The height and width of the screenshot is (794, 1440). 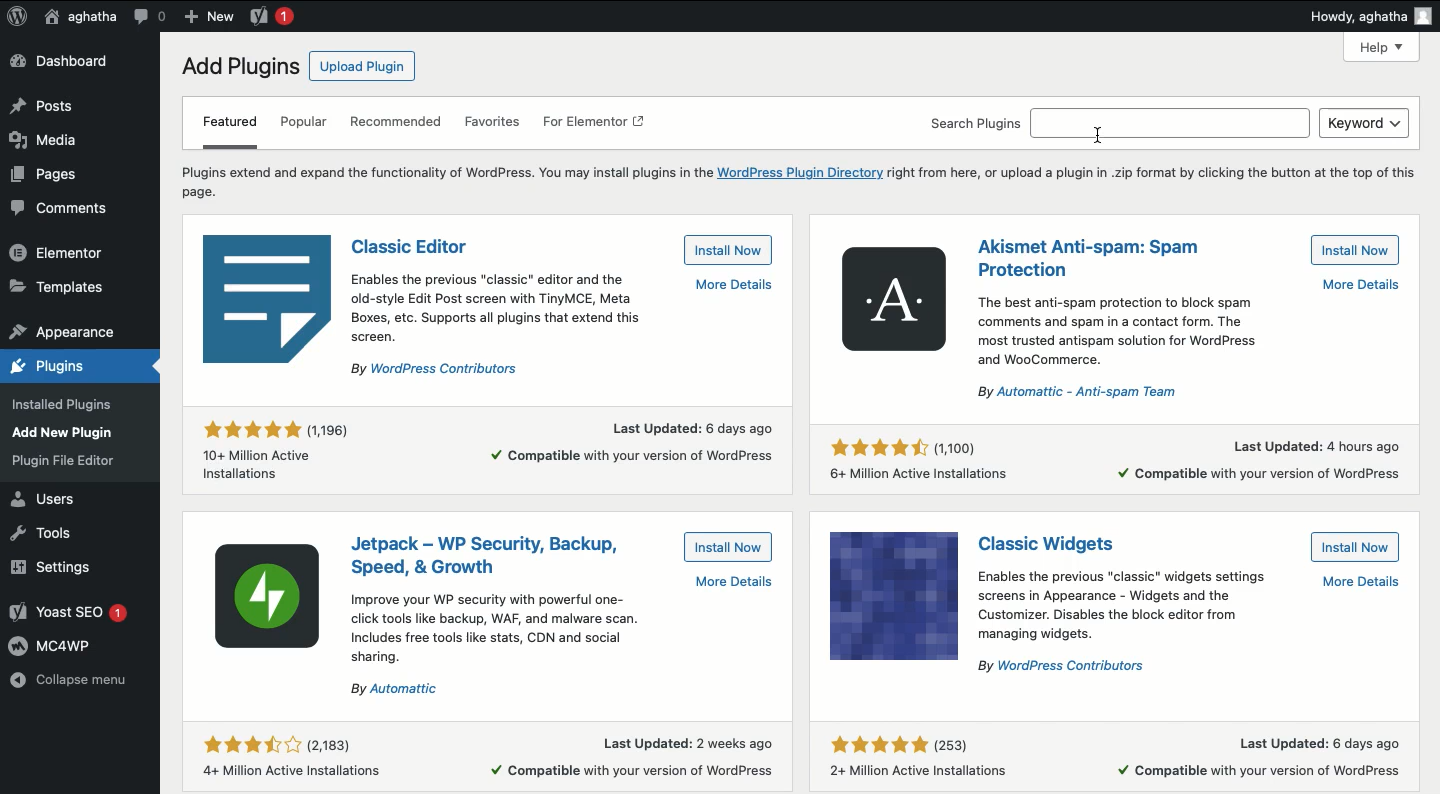 What do you see at coordinates (1110, 138) in the screenshot?
I see `cursor` at bounding box center [1110, 138].